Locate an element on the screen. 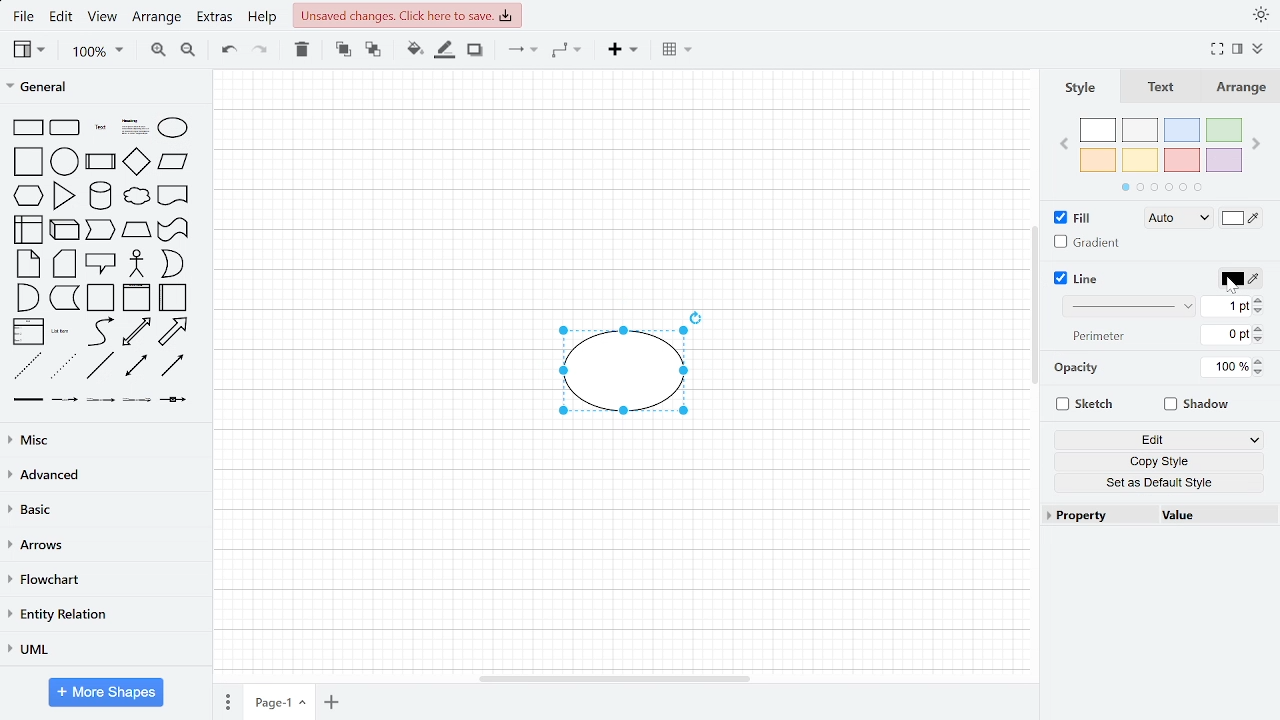 The width and height of the screenshot is (1280, 720). Current OPacity is located at coordinates (1221, 368).